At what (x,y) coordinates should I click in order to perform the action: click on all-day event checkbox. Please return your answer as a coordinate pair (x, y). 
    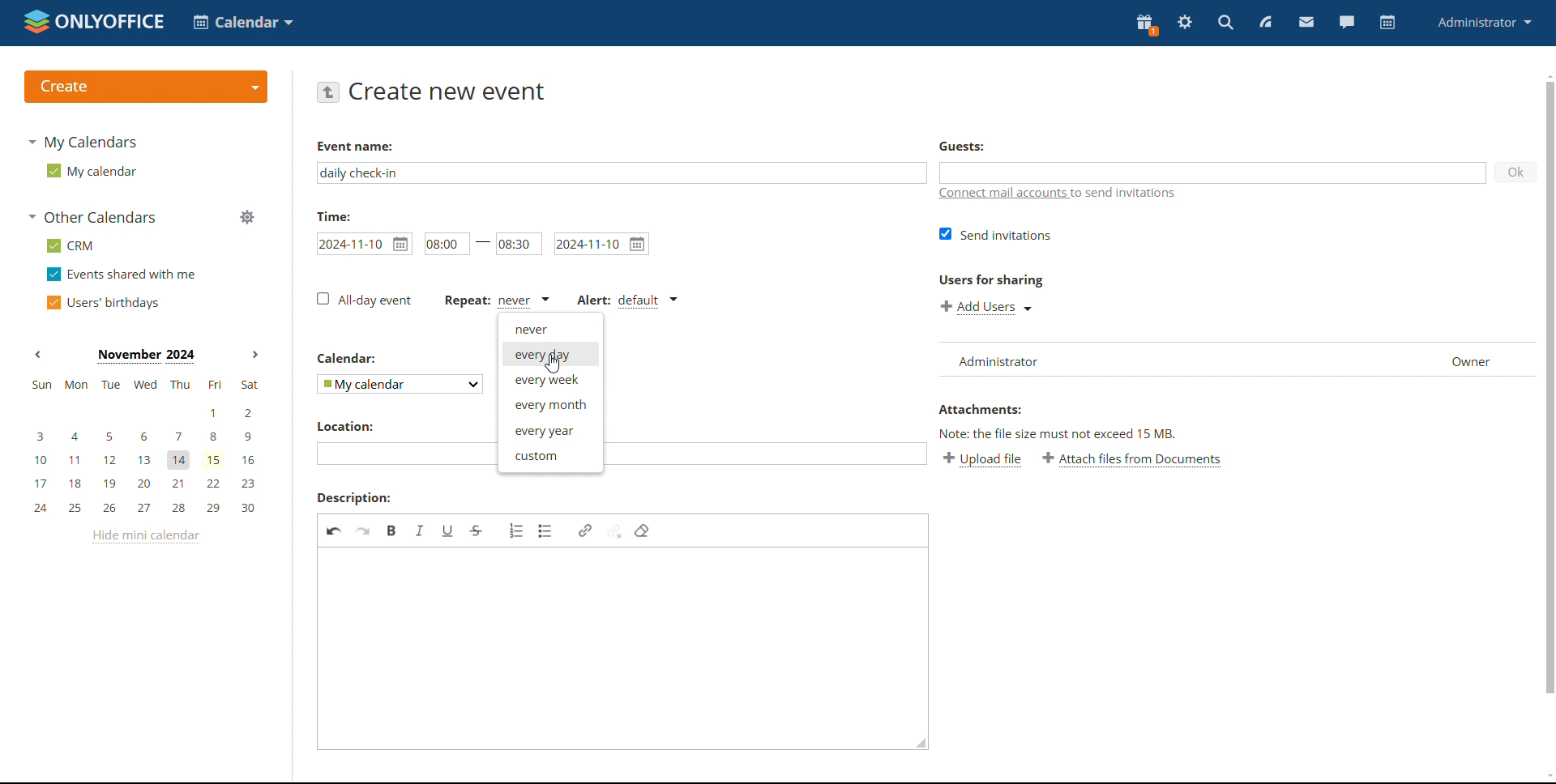
    Looking at the image, I should click on (362, 300).